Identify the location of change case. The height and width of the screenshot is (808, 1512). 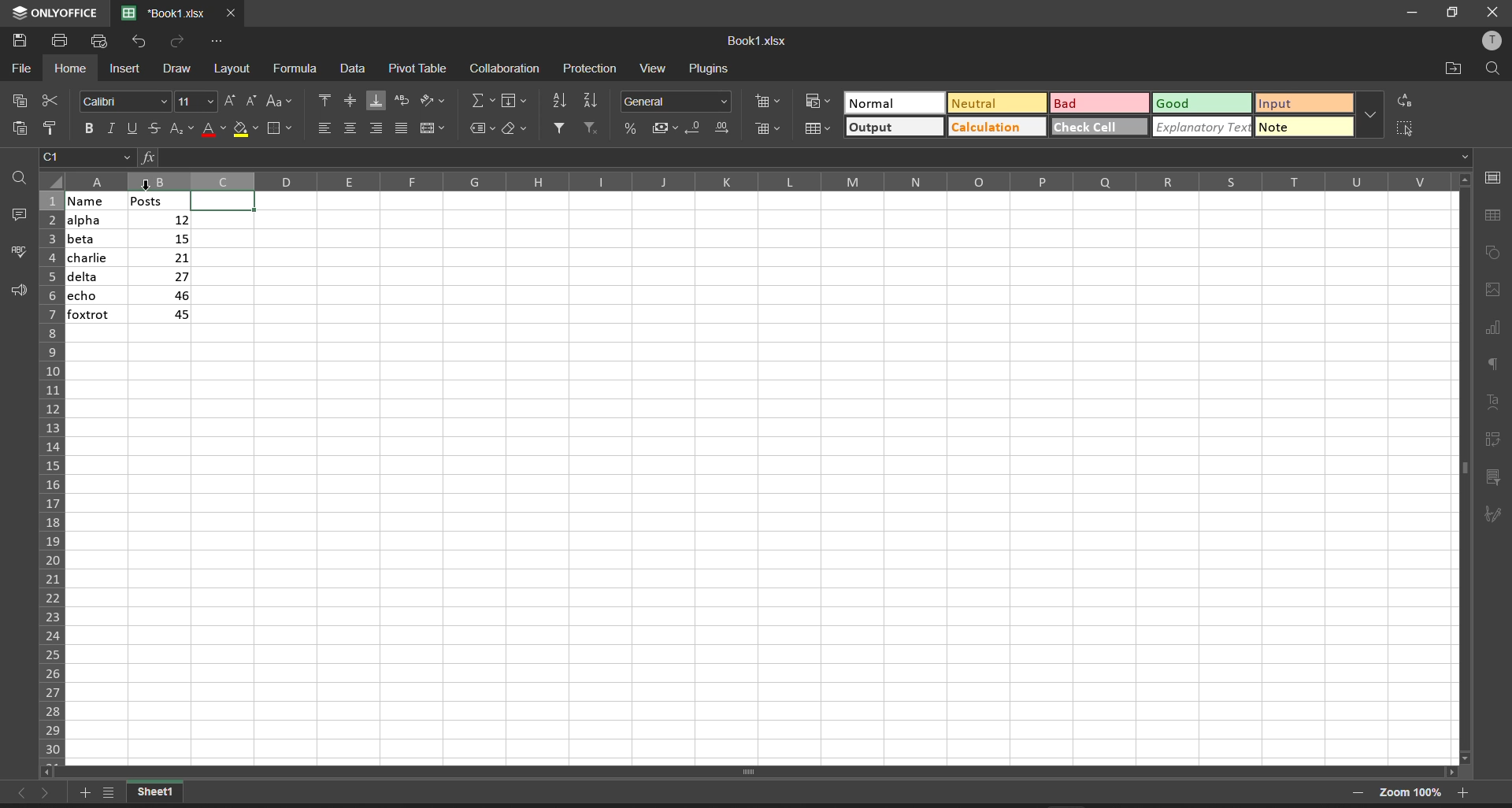
(280, 102).